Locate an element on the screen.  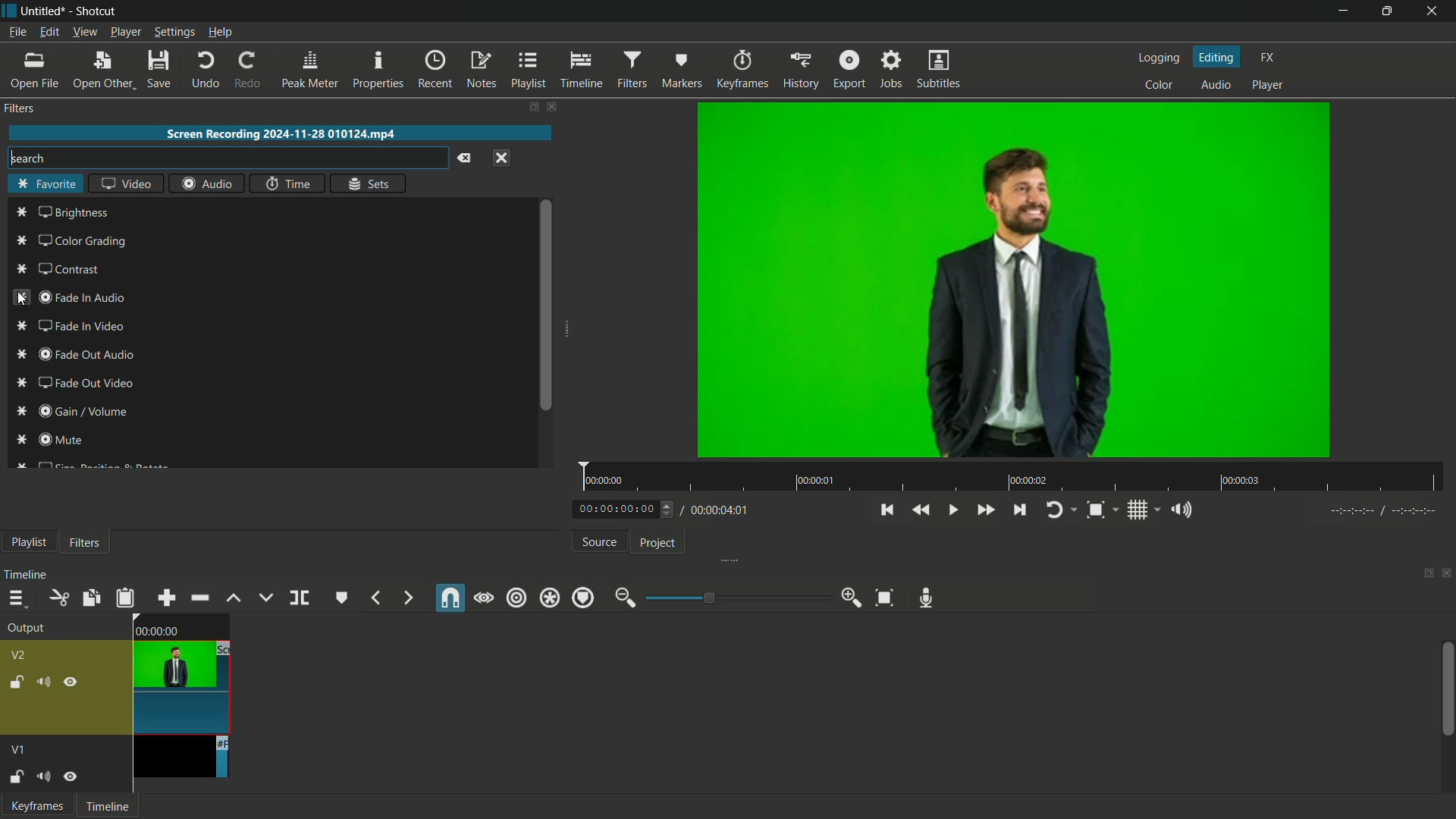
toggle play or pause is located at coordinates (952, 511).